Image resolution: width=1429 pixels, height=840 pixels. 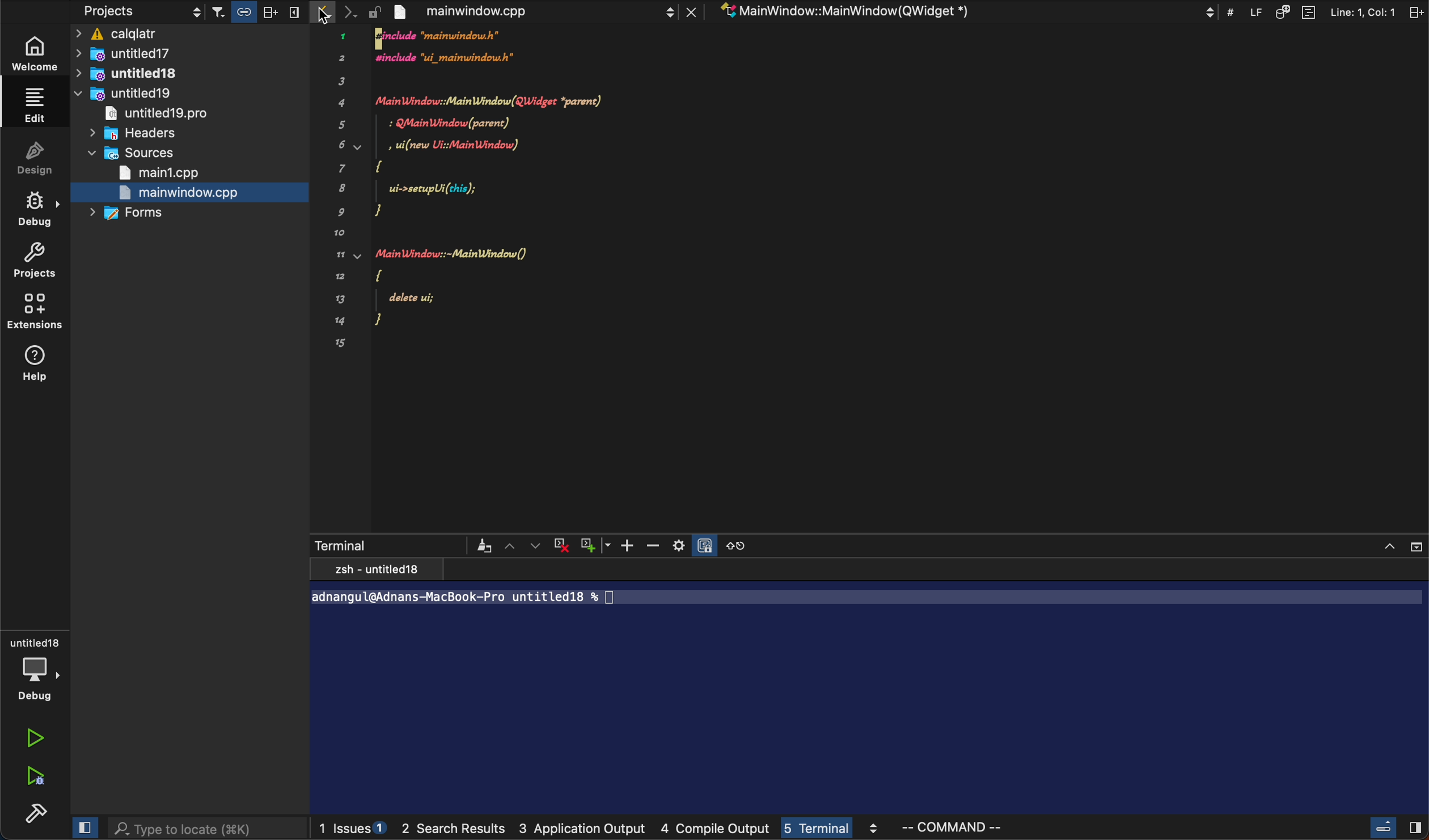 I want to click on edit, so click(x=32, y=104).